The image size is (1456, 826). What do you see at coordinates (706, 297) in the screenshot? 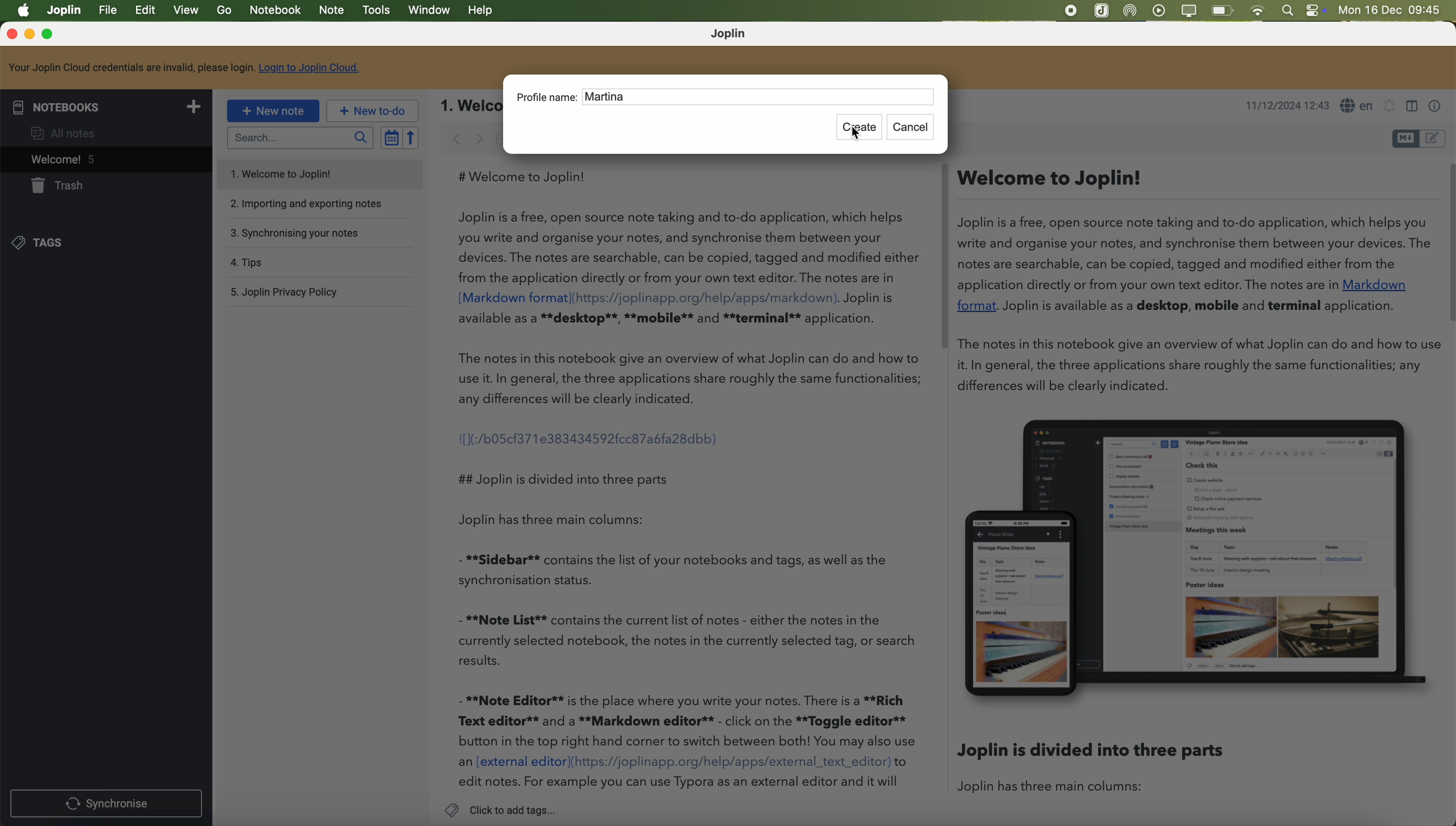
I see `(https://joplinapp.org/help/apps/markdown)` at bounding box center [706, 297].